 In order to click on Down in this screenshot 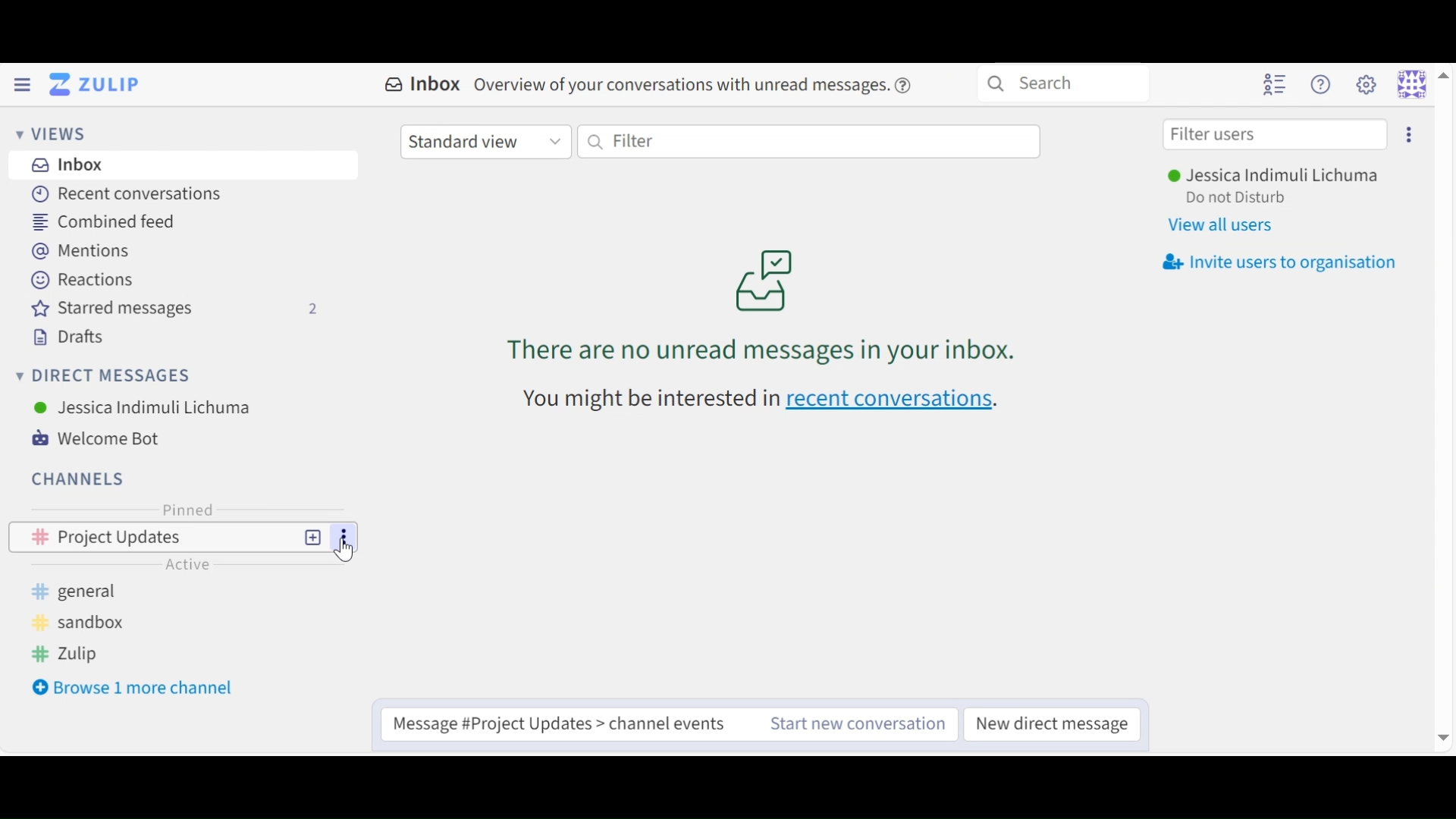, I will do `click(1444, 734)`.